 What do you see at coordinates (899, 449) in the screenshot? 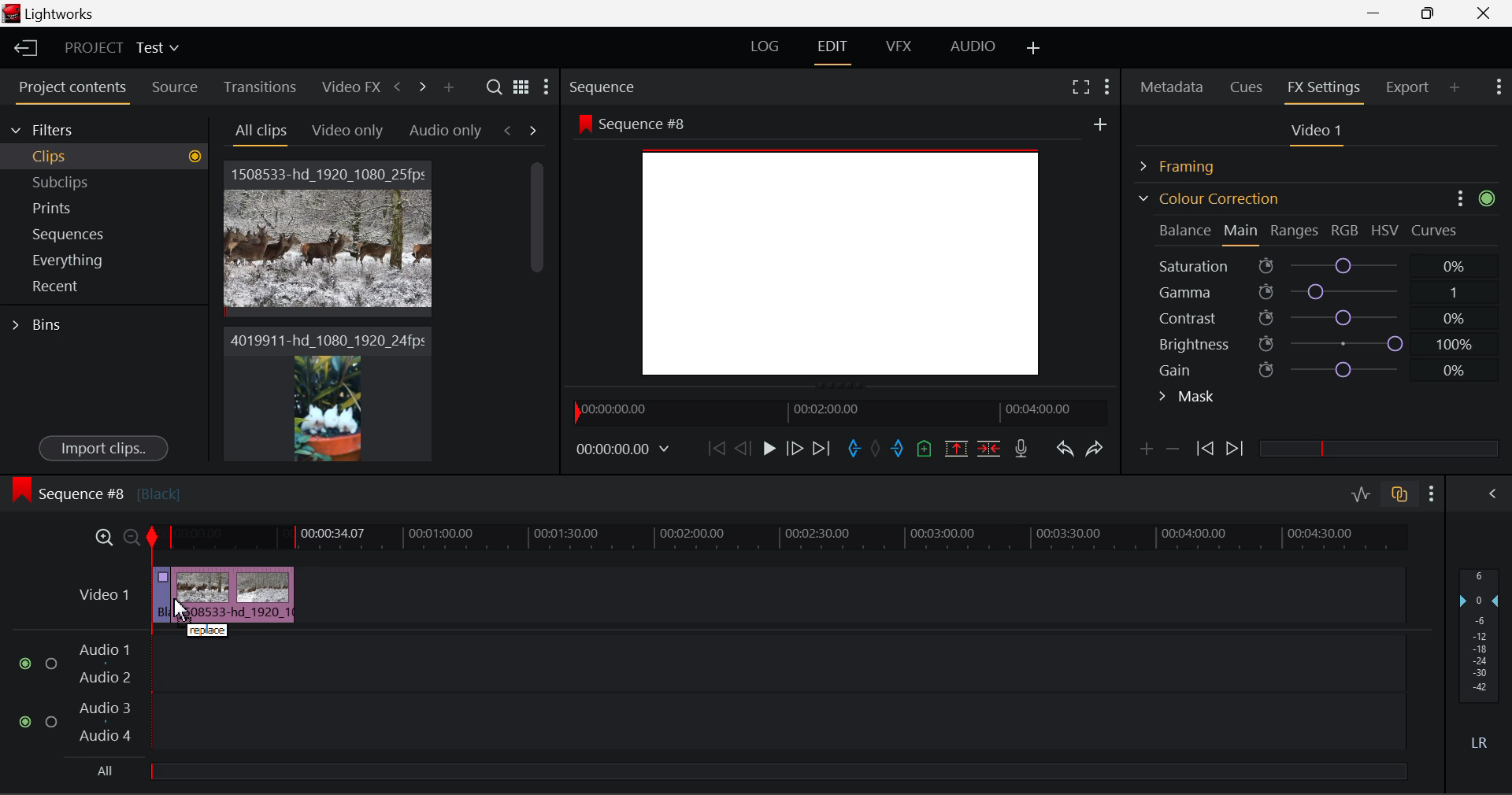
I see `Mark Out` at bounding box center [899, 449].